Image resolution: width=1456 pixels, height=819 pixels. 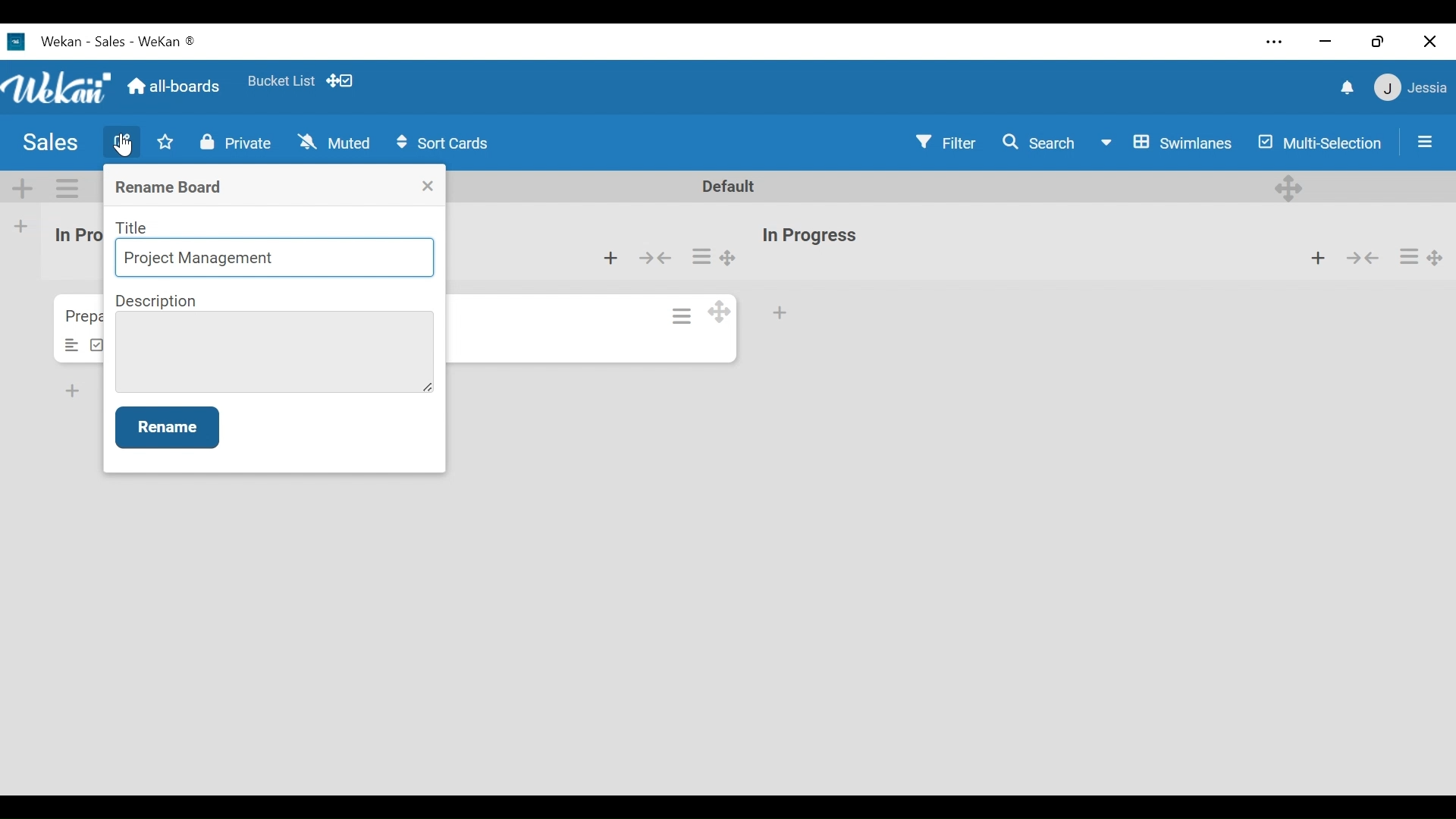 I want to click on Add card to the top of the list, so click(x=1316, y=256).